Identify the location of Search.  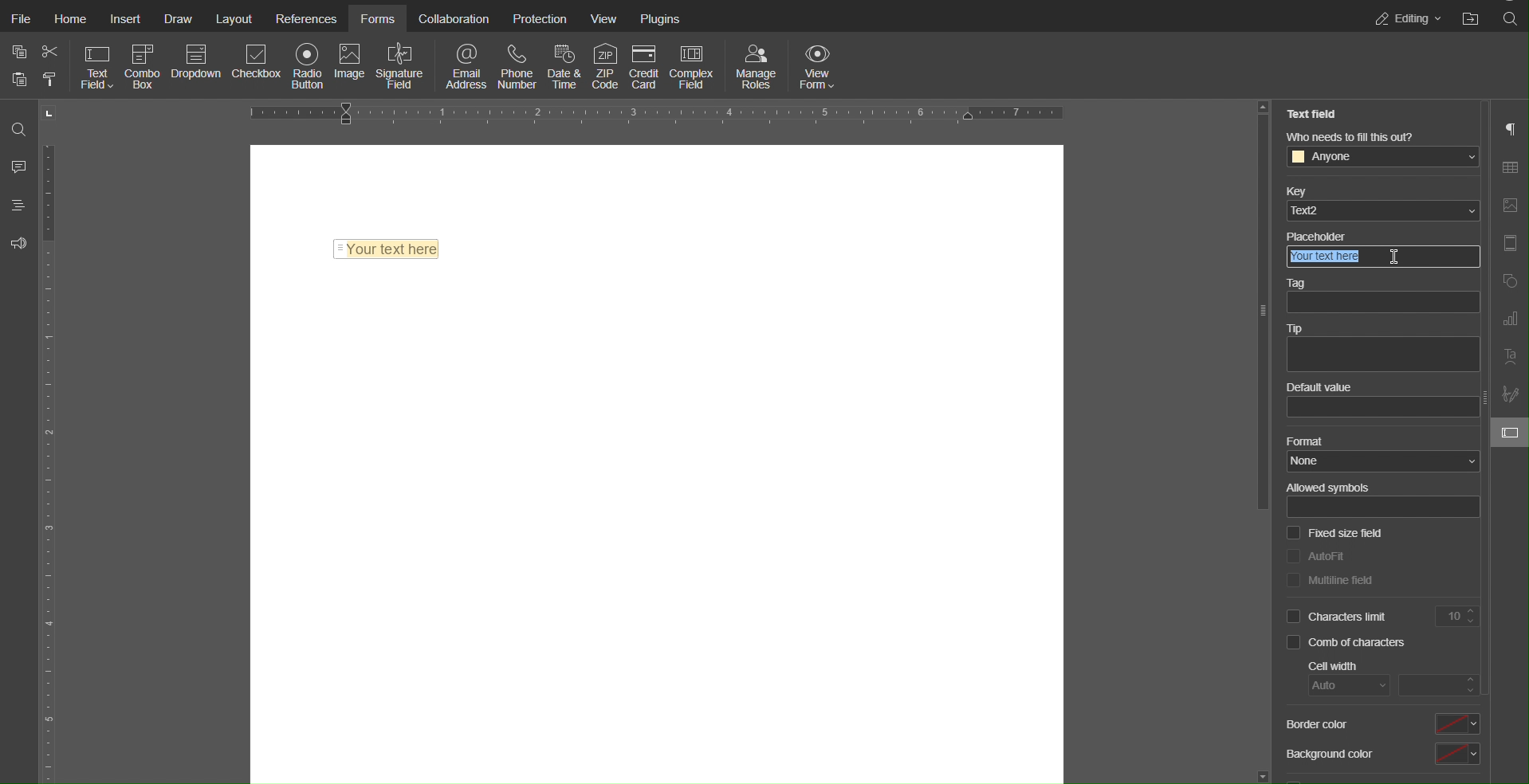
(1510, 18).